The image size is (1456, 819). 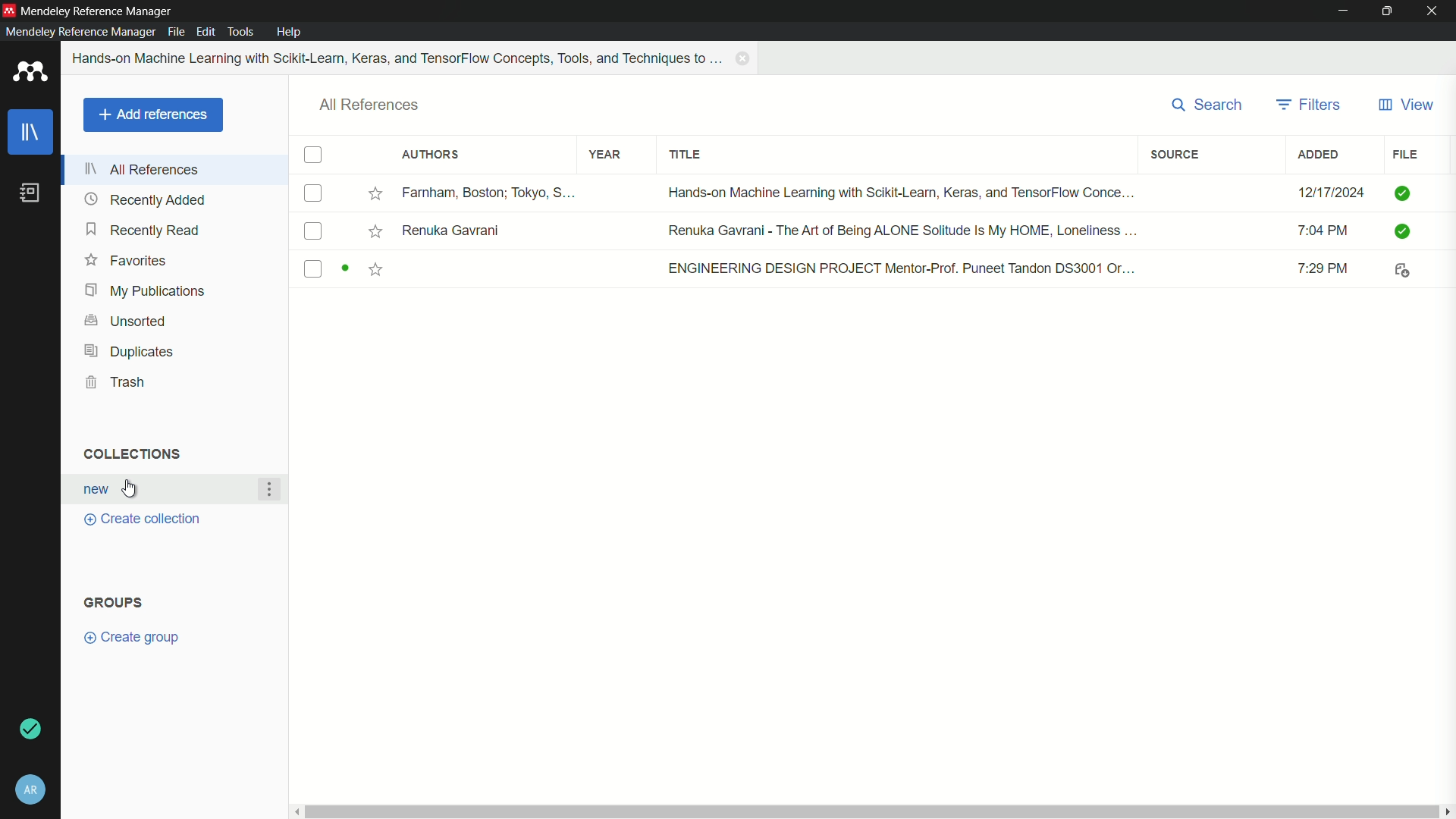 I want to click on check box, so click(x=313, y=155).